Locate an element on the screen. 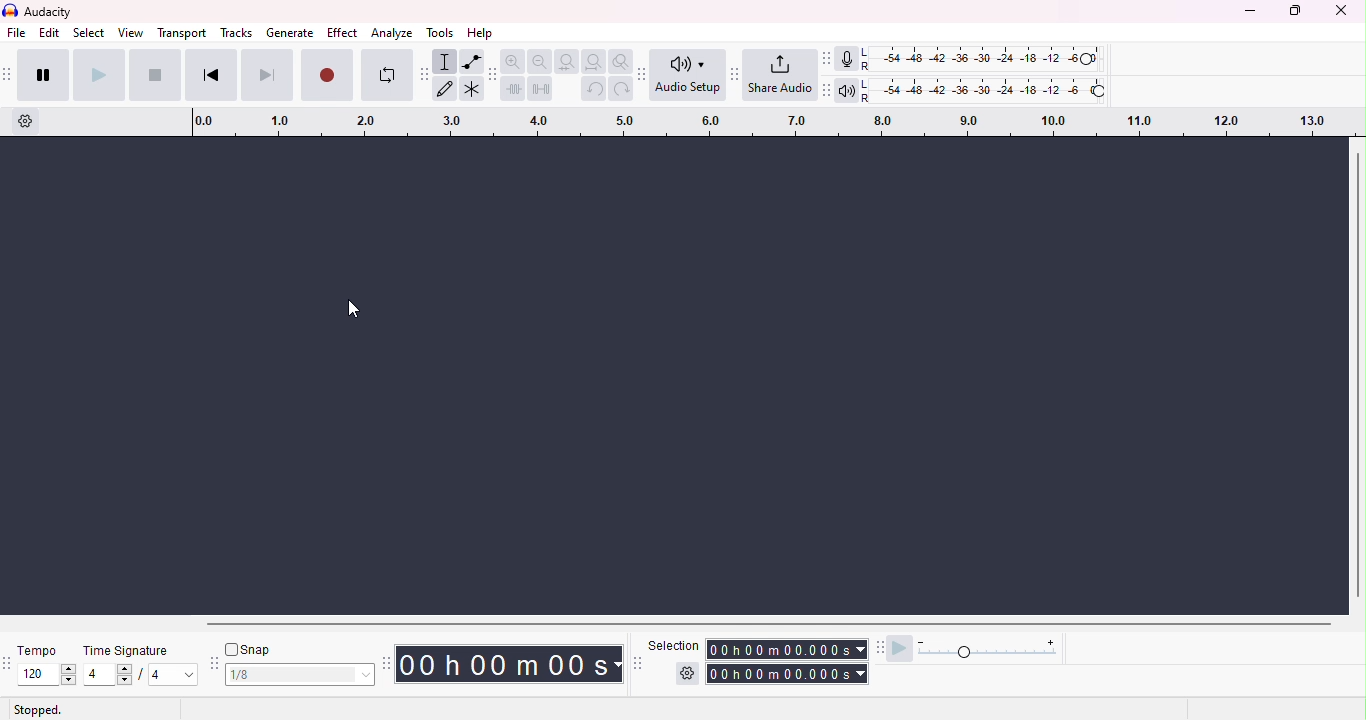 Image resolution: width=1366 pixels, height=720 pixels. timelin is located at coordinates (779, 121).